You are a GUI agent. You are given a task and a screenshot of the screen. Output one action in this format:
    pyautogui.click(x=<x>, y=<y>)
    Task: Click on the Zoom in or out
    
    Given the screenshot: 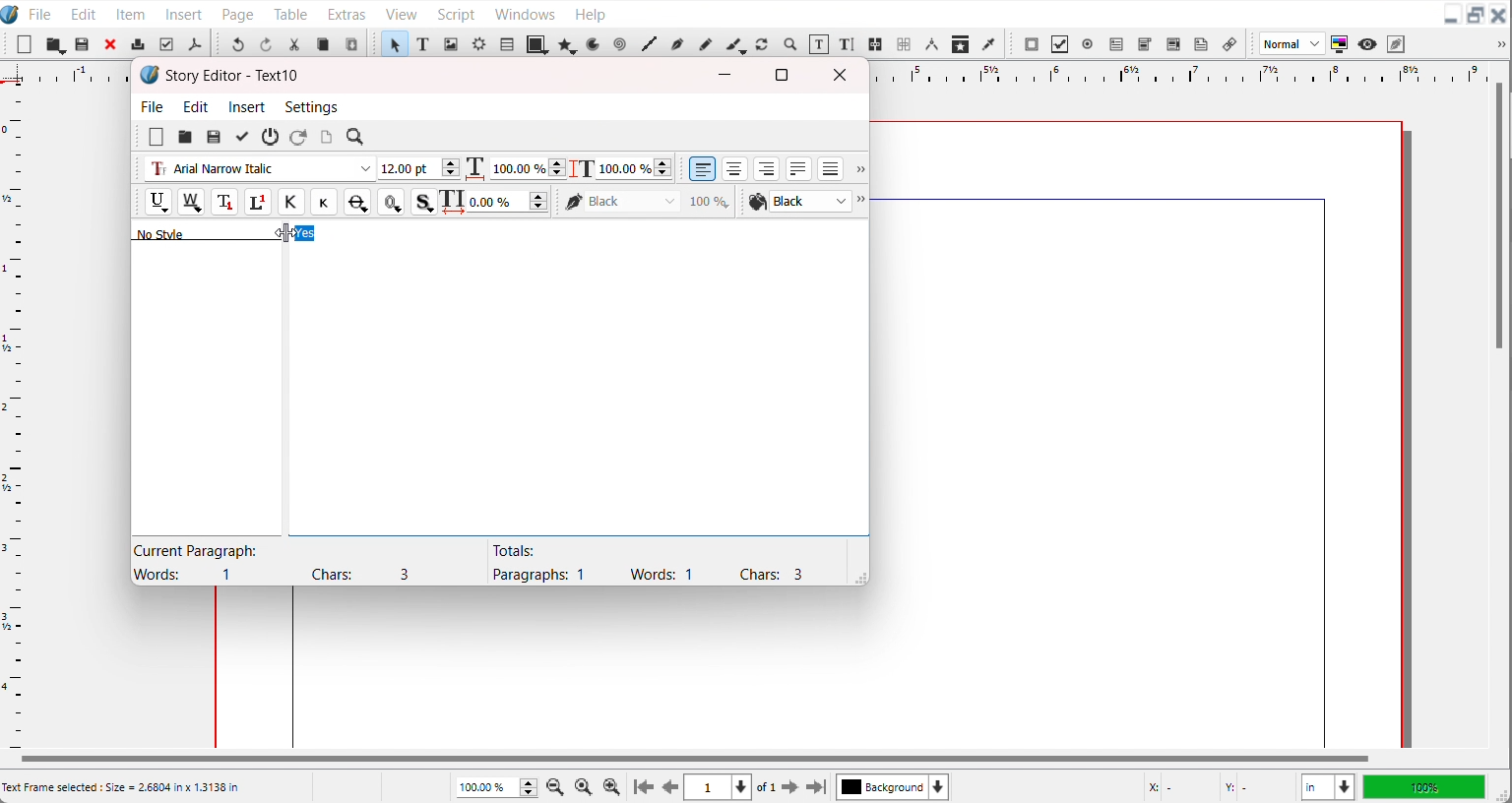 What is the action you would take?
    pyautogui.click(x=788, y=43)
    